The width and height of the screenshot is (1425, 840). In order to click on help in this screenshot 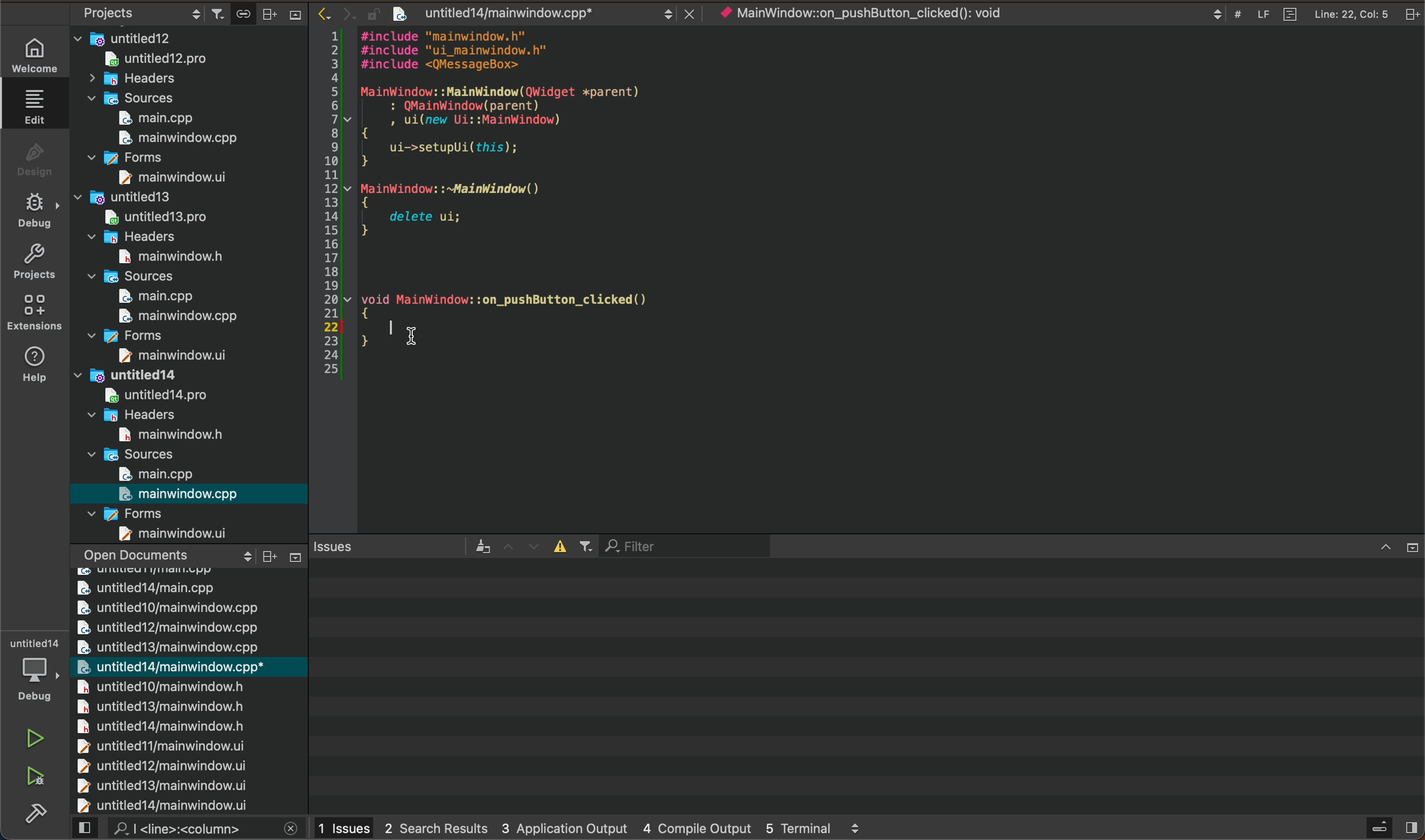, I will do `click(33, 364)`.